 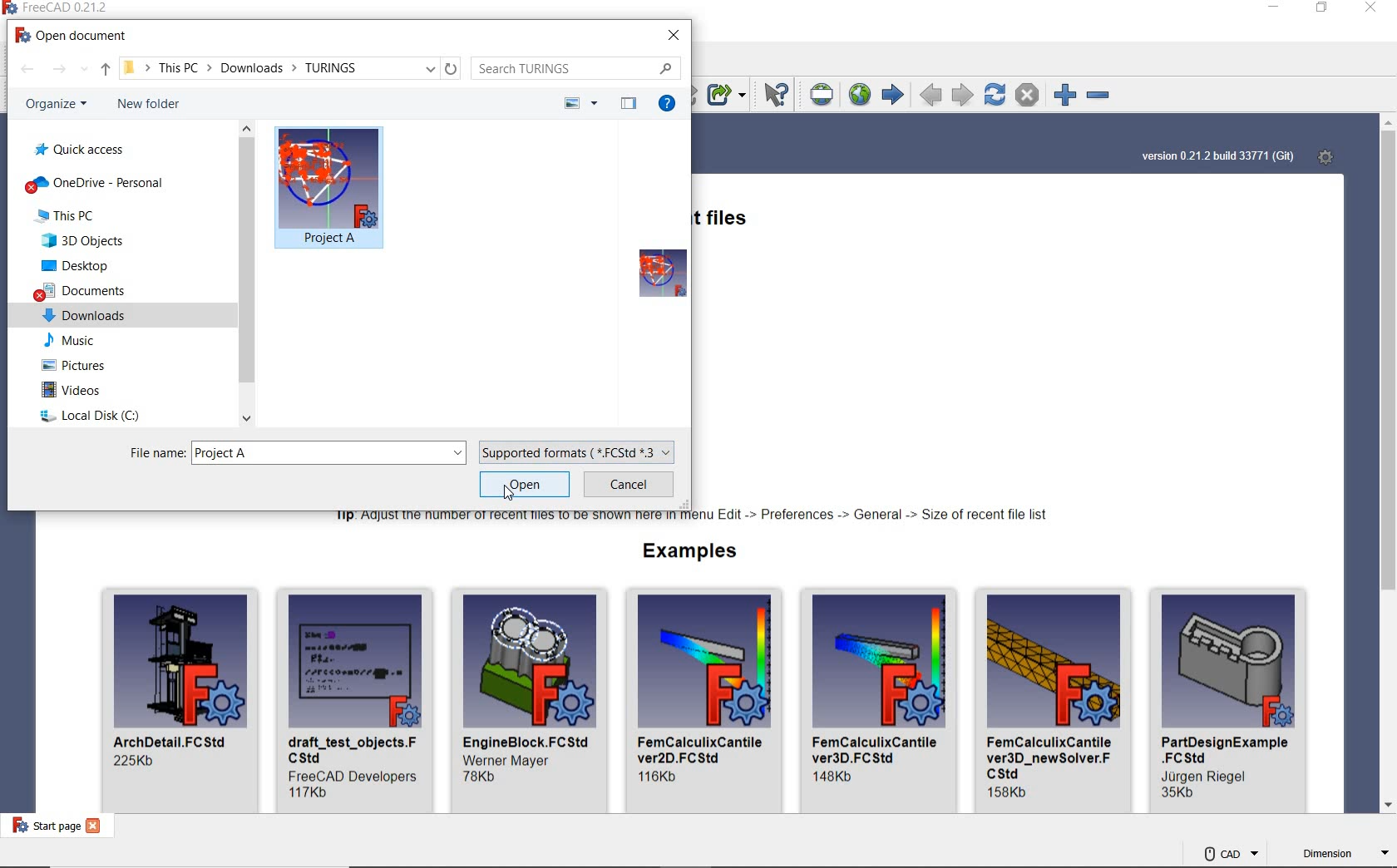 What do you see at coordinates (1054, 659) in the screenshot?
I see `image` at bounding box center [1054, 659].